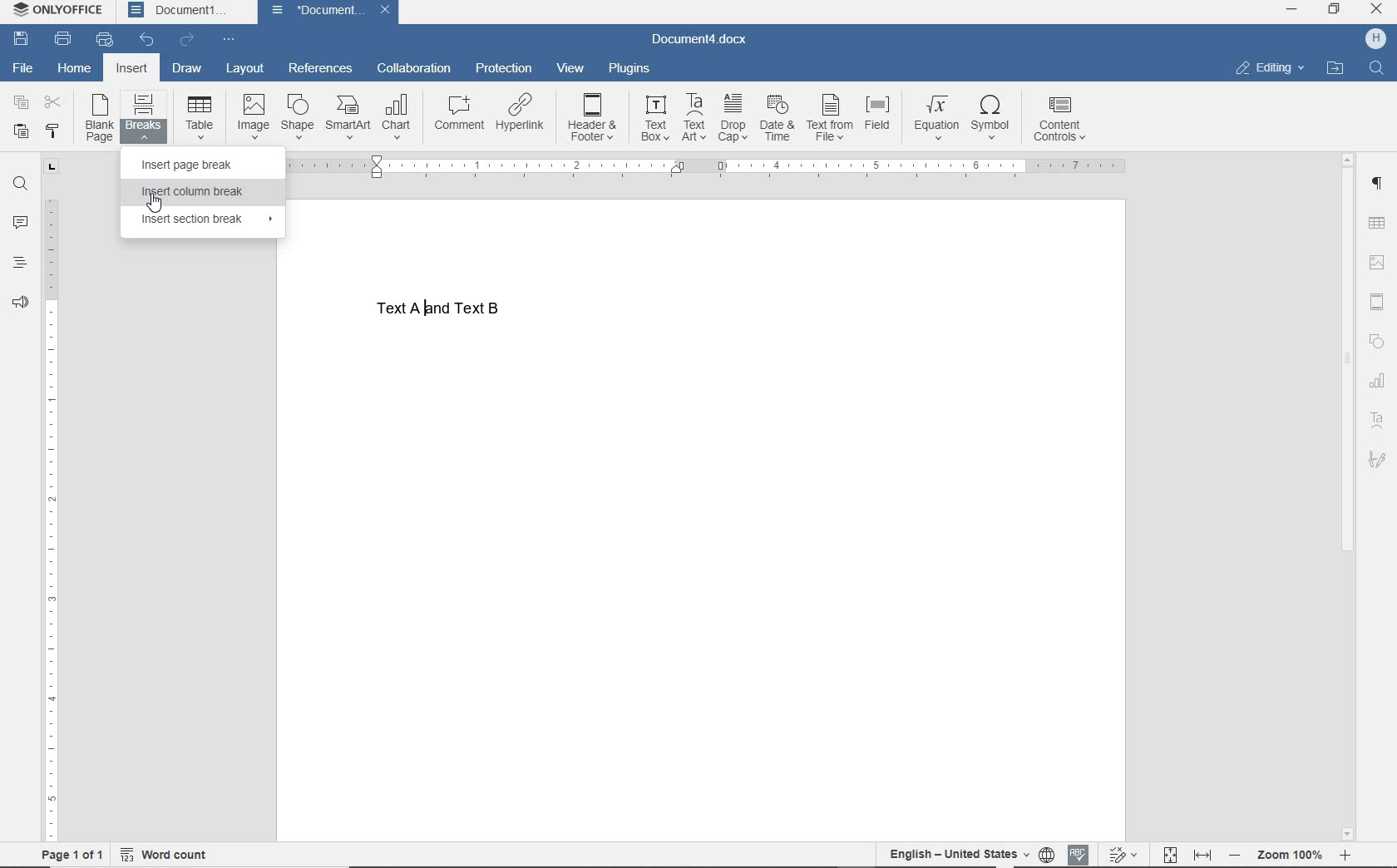 The image size is (1397, 868). Describe the element at coordinates (655, 119) in the screenshot. I see `TEXT BOX` at that location.